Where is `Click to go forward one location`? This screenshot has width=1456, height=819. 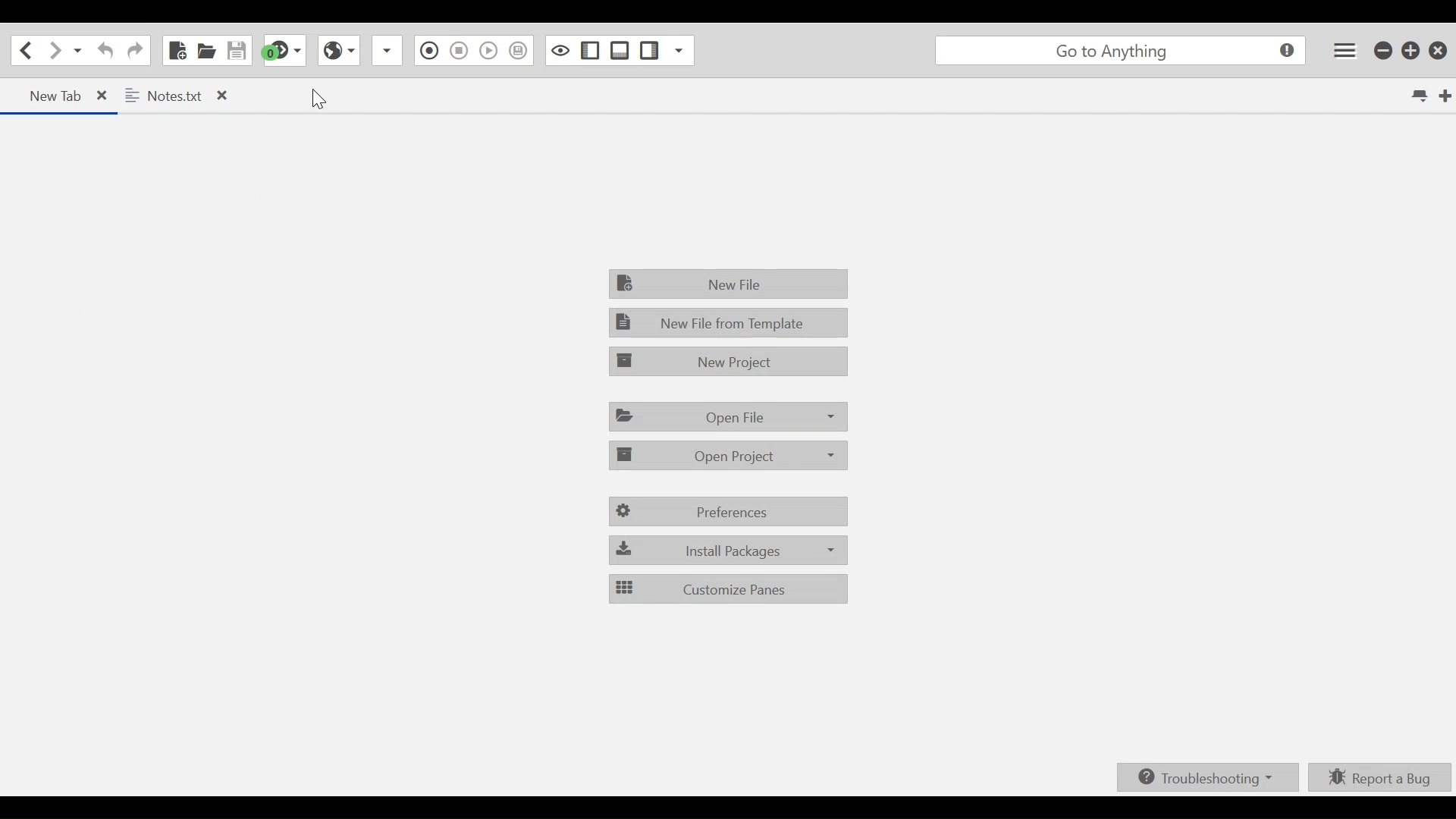 Click to go forward one location is located at coordinates (53, 50).